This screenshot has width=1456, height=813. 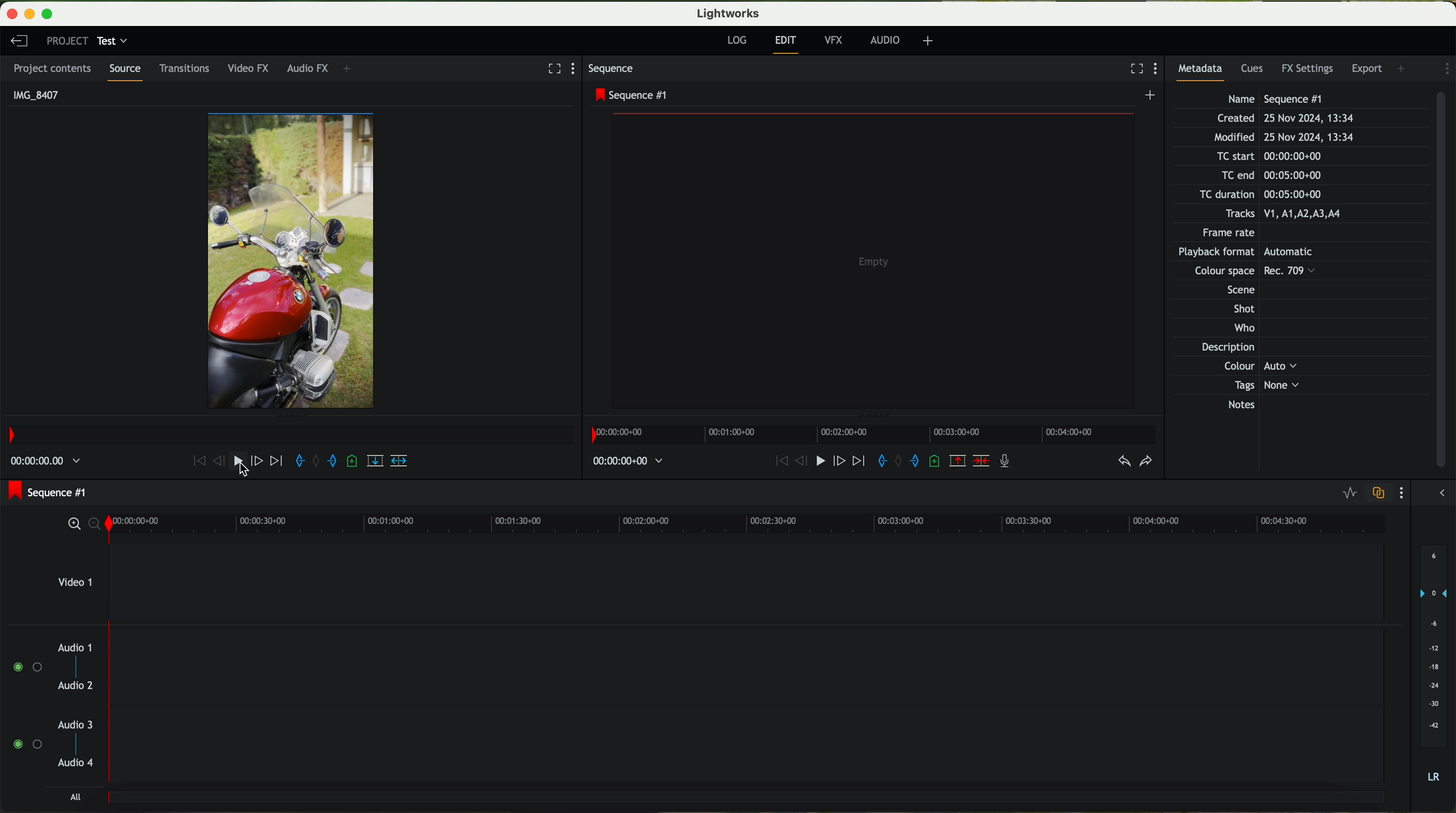 What do you see at coordinates (25, 706) in the screenshot?
I see `enable audio tracks` at bounding box center [25, 706].